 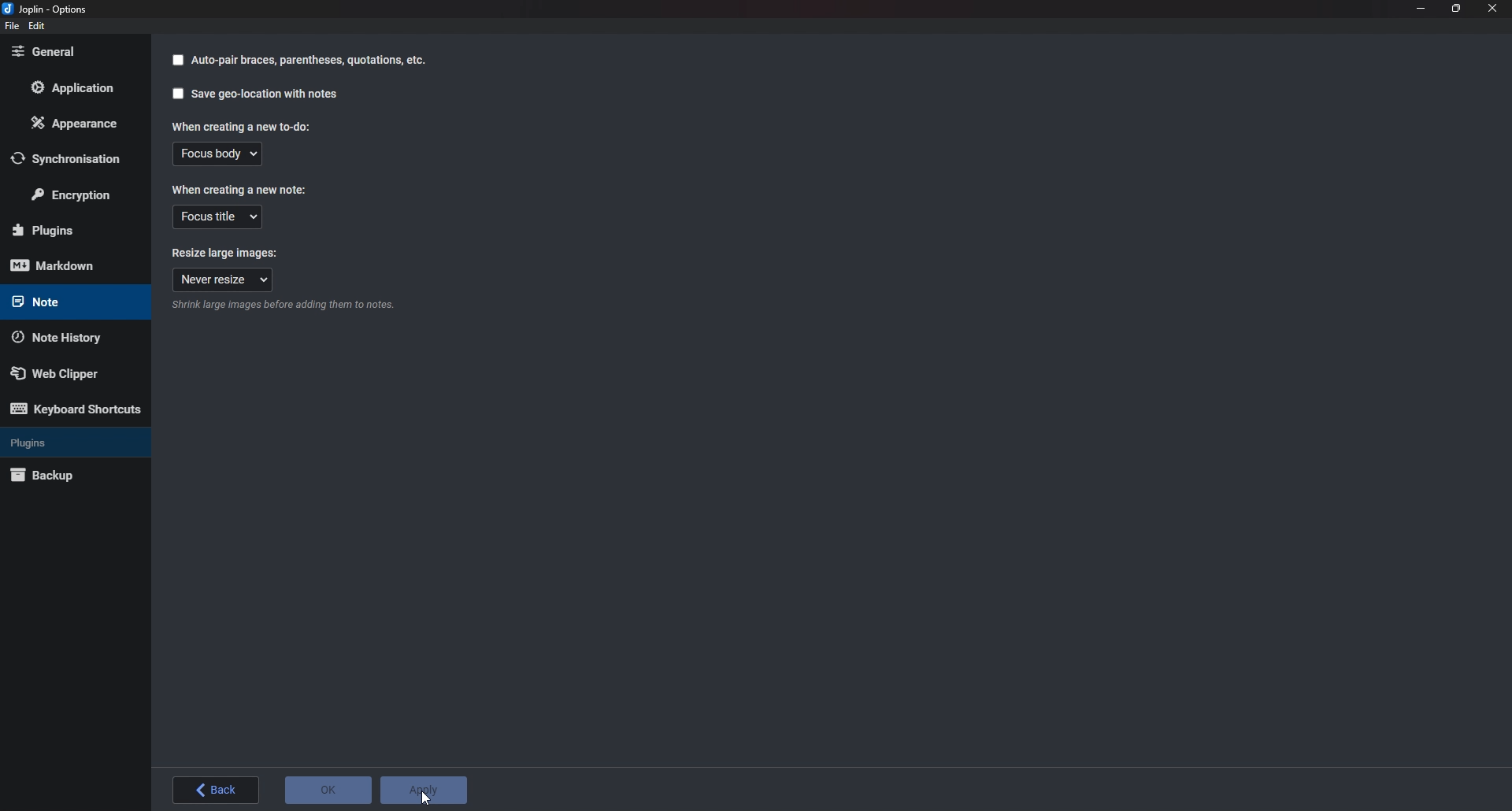 I want to click on auto pair braces parenthesis Quotation etc, so click(x=297, y=61).